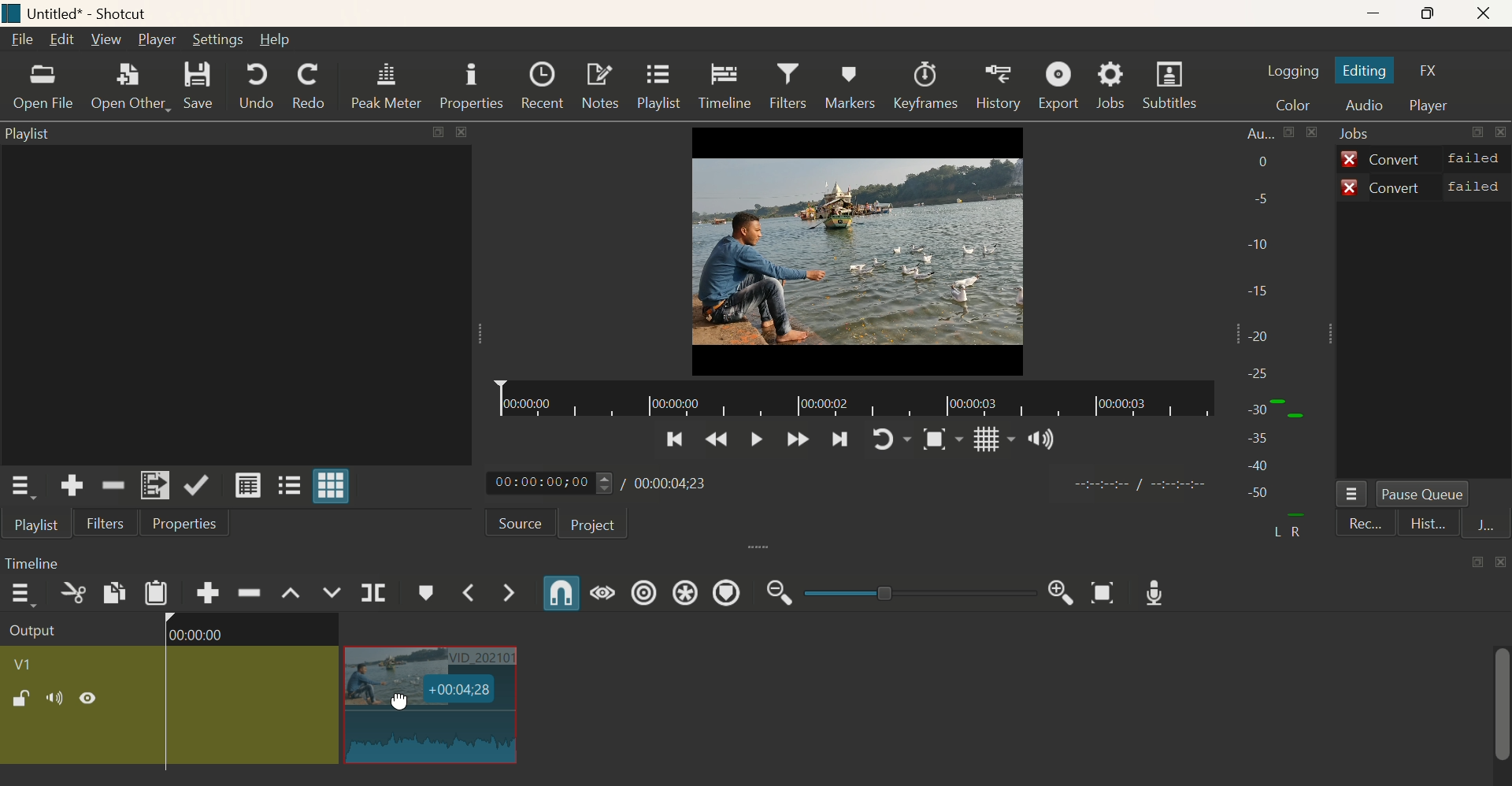 This screenshot has width=1512, height=786. What do you see at coordinates (444, 695) in the screenshot?
I see `Dragging` at bounding box center [444, 695].